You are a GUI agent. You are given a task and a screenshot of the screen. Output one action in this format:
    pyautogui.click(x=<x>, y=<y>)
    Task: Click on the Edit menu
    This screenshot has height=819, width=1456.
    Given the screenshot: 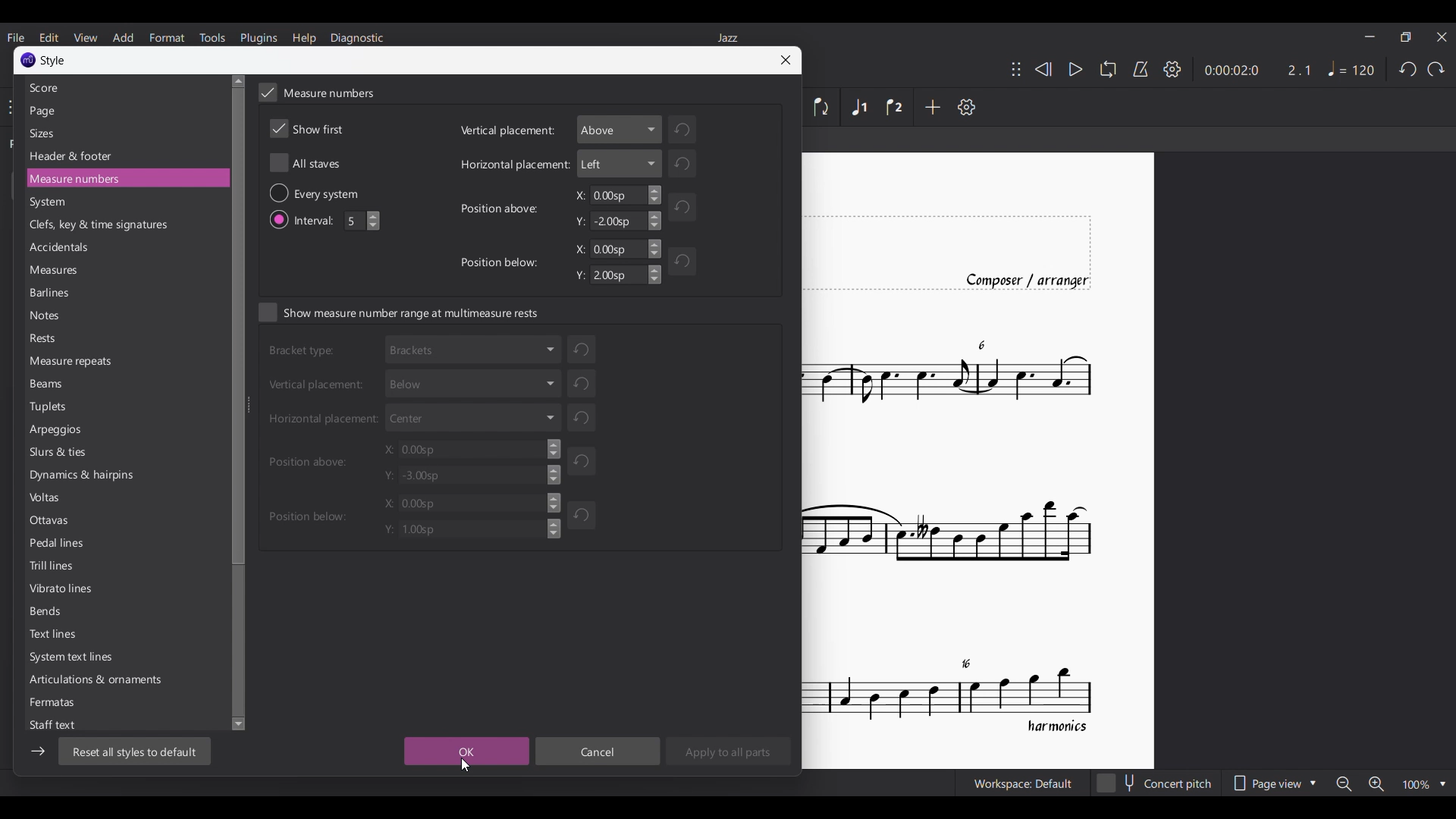 What is the action you would take?
    pyautogui.click(x=49, y=37)
    